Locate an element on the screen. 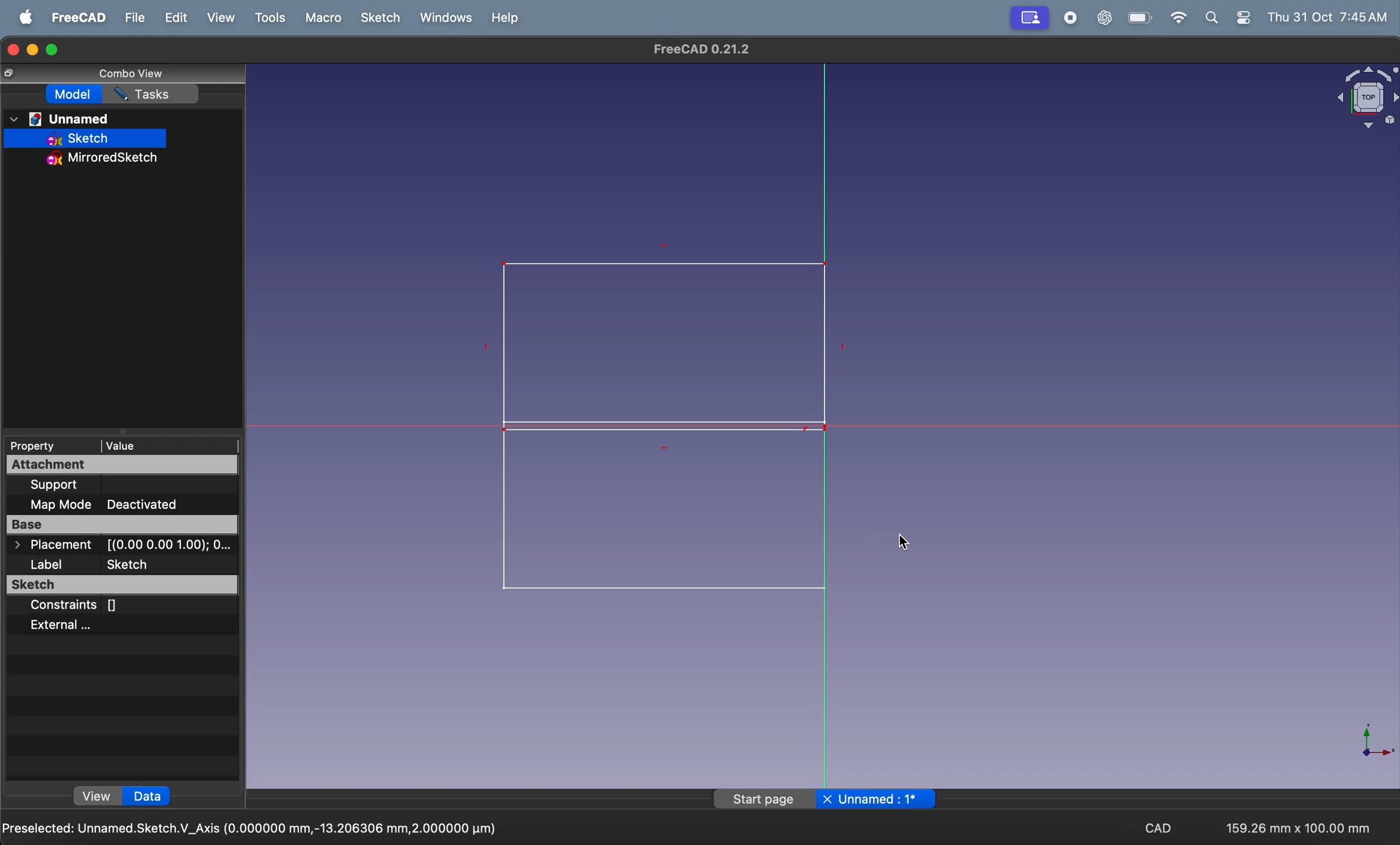  maximize is located at coordinates (55, 52).